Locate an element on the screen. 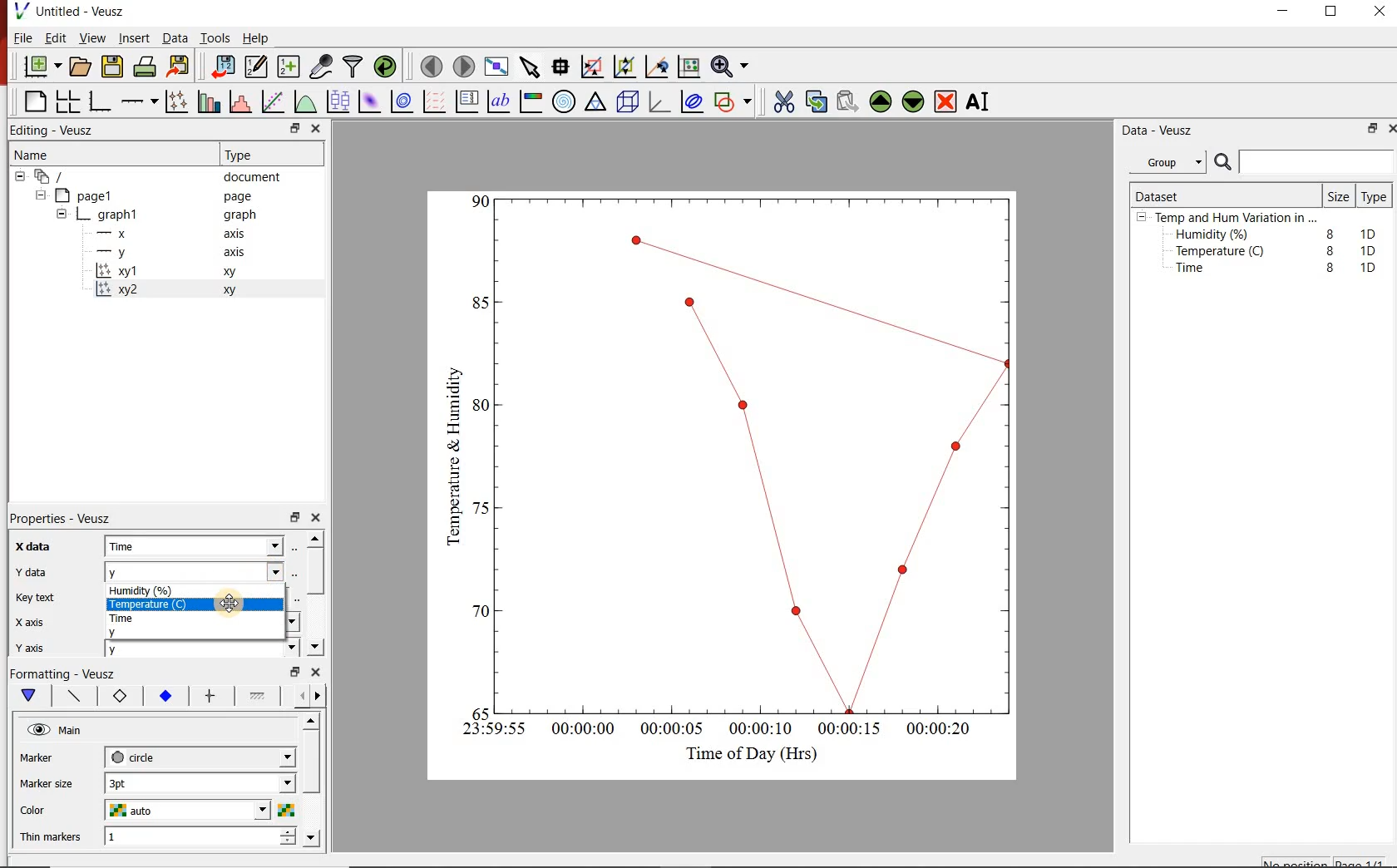 The height and width of the screenshot is (868, 1397). y data is located at coordinates (37, 570).